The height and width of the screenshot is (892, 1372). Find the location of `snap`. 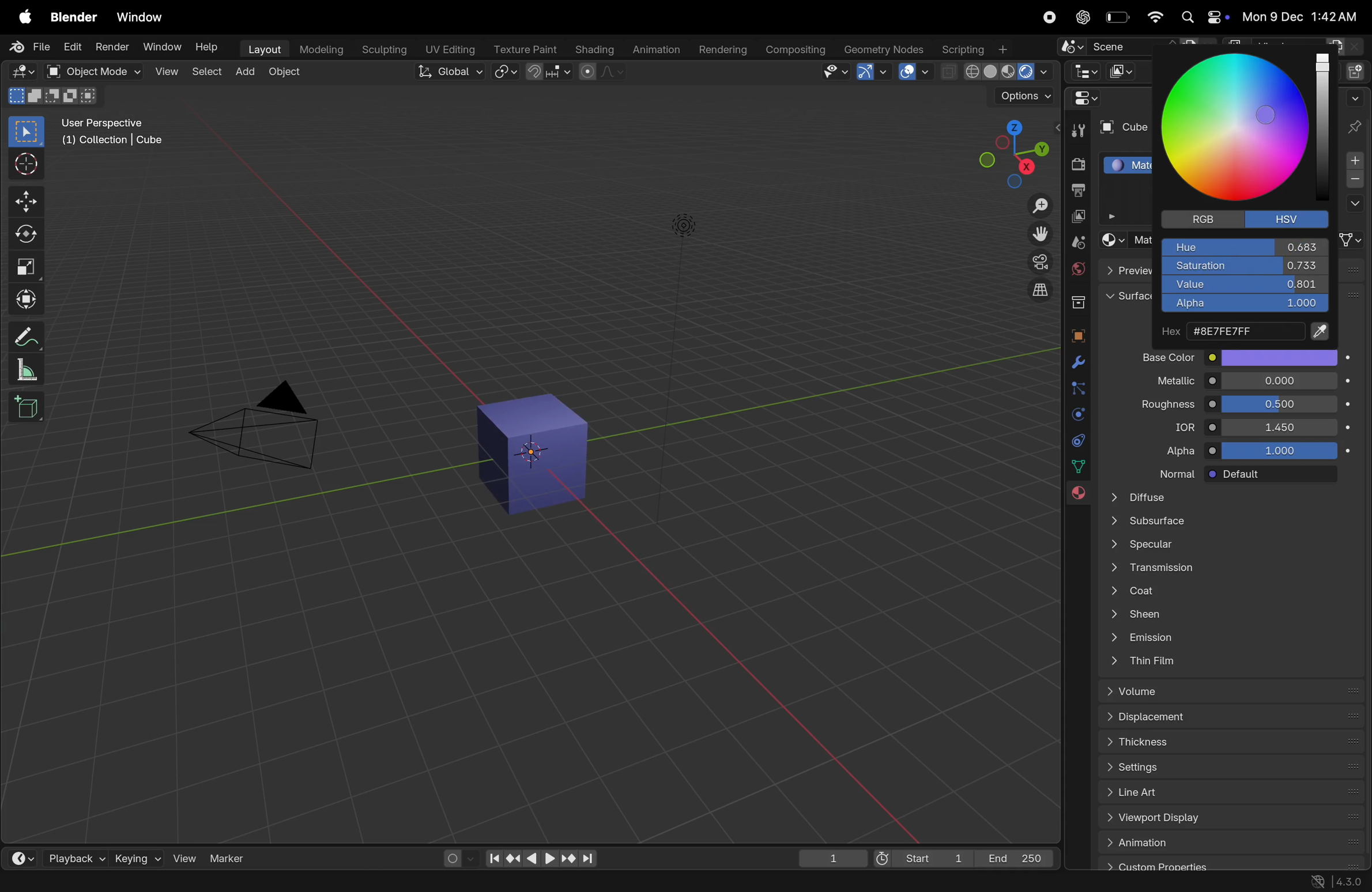

snap is located at coordinates (548, 73).